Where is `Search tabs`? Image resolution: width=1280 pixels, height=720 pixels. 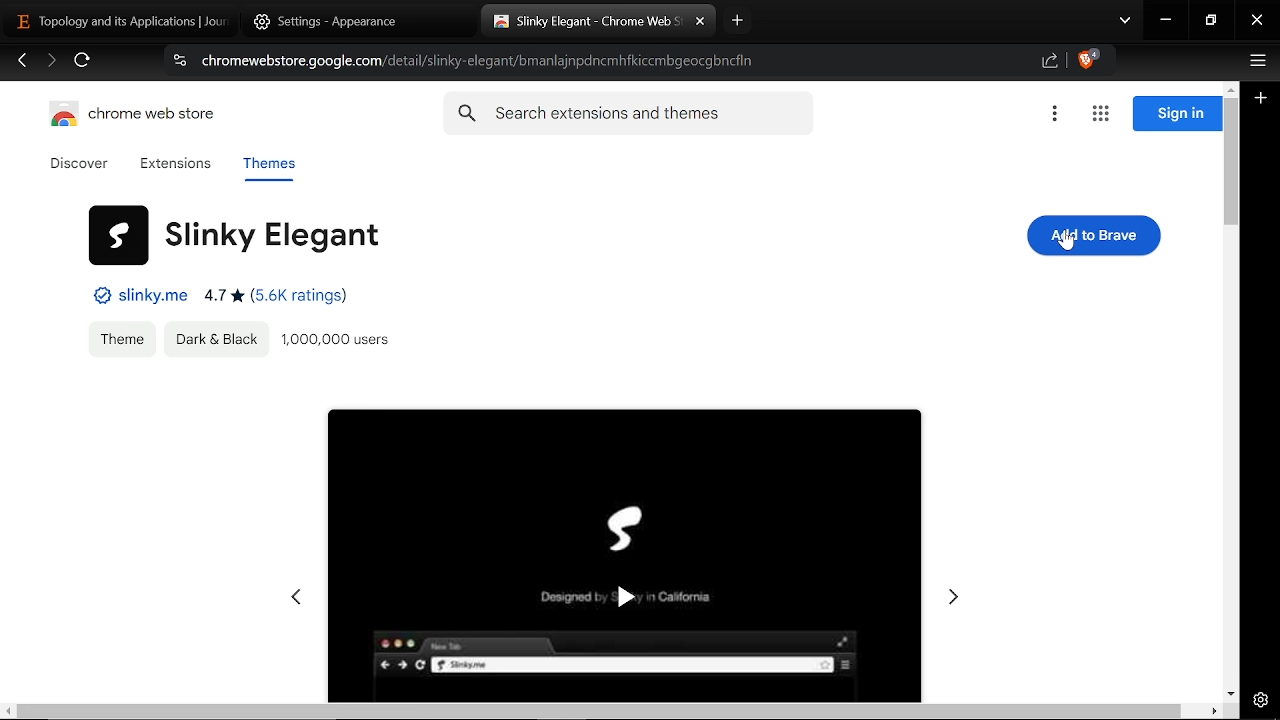 Search tabs is located at coordinates (1125, 22).